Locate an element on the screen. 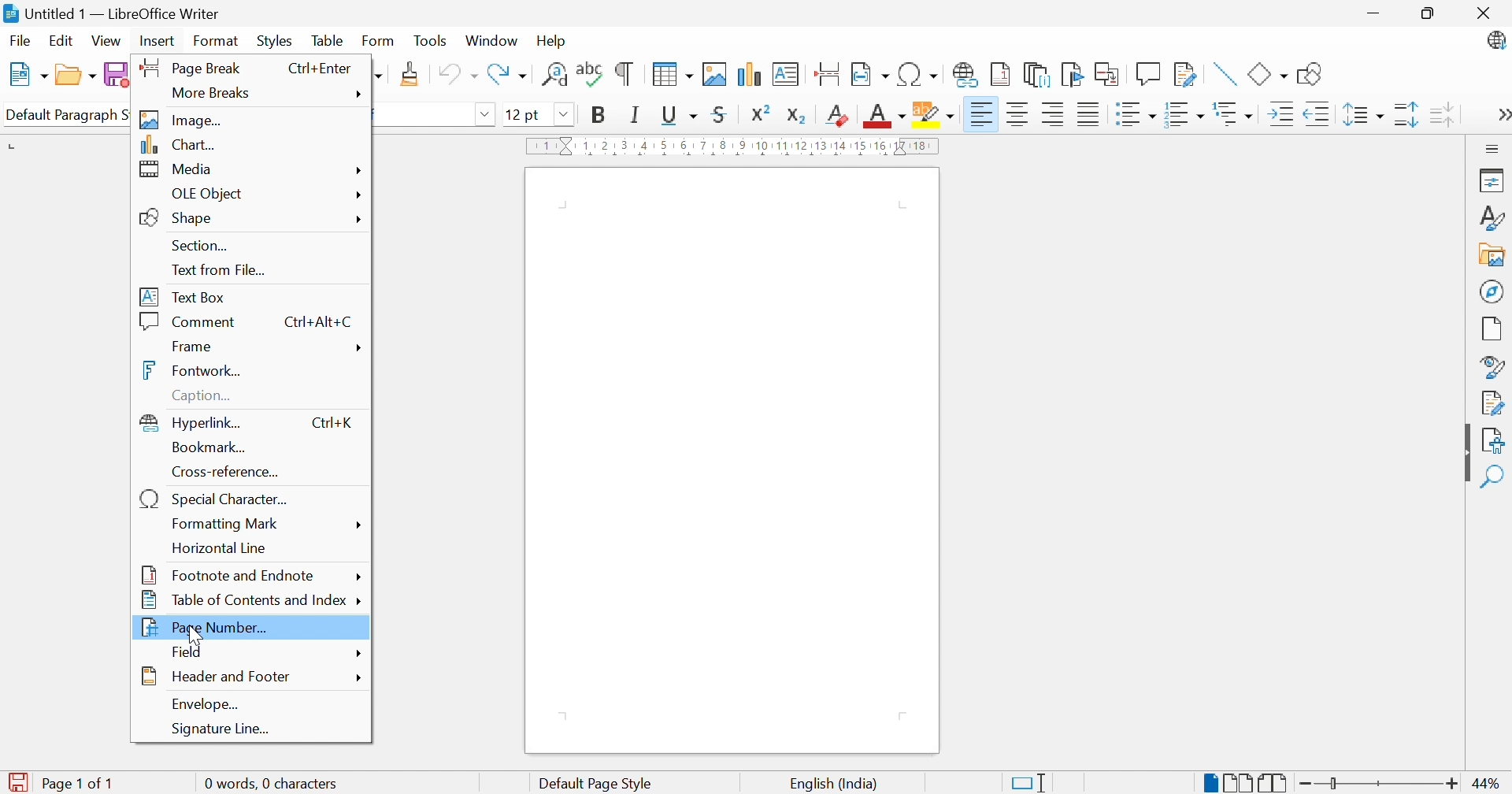 This screenshot has width=1512, height=794. More is located at coordinates (362, 94).